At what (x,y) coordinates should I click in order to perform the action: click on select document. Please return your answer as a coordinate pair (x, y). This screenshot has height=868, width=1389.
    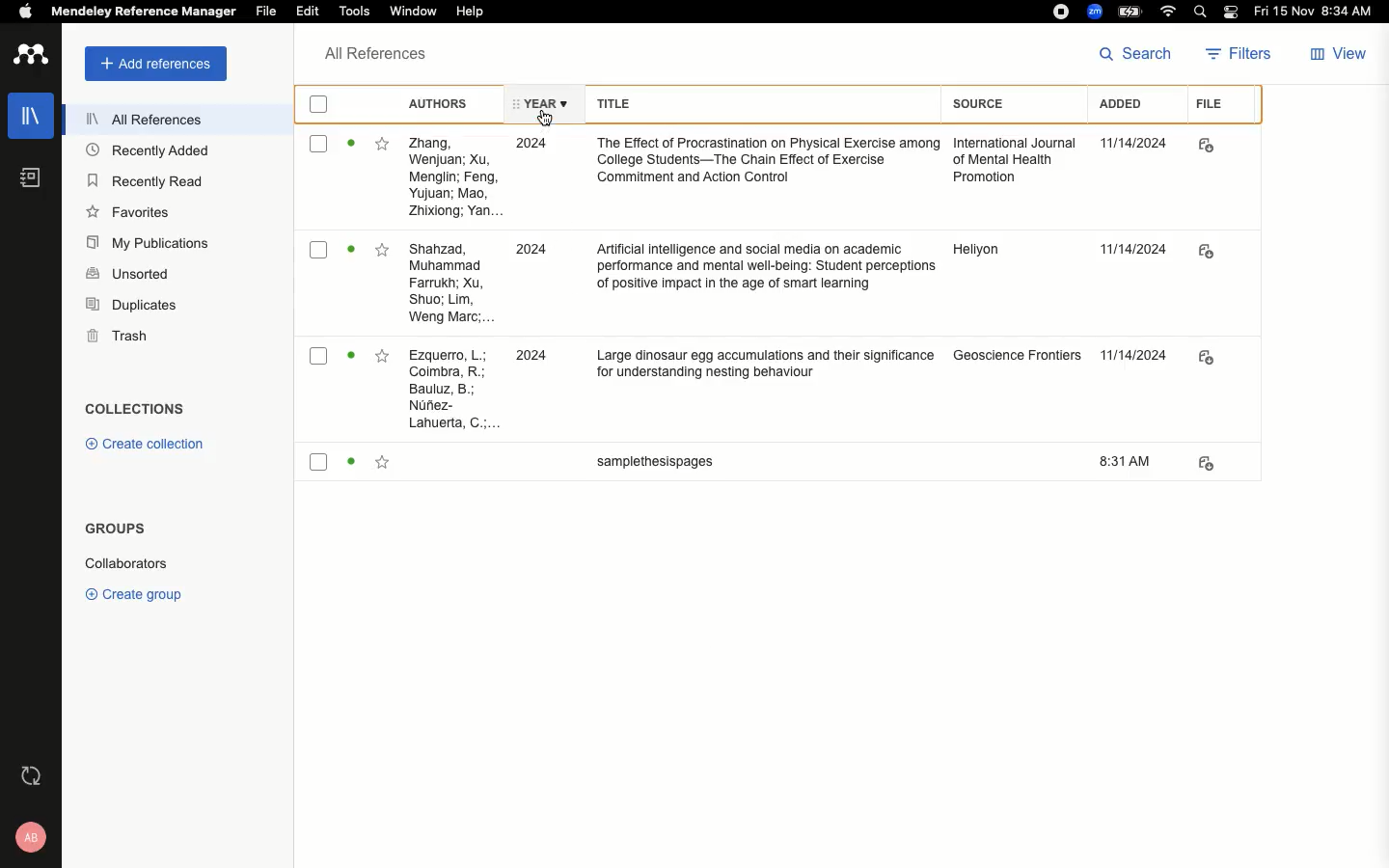
    Looking at the image, I should click on (319, 255).